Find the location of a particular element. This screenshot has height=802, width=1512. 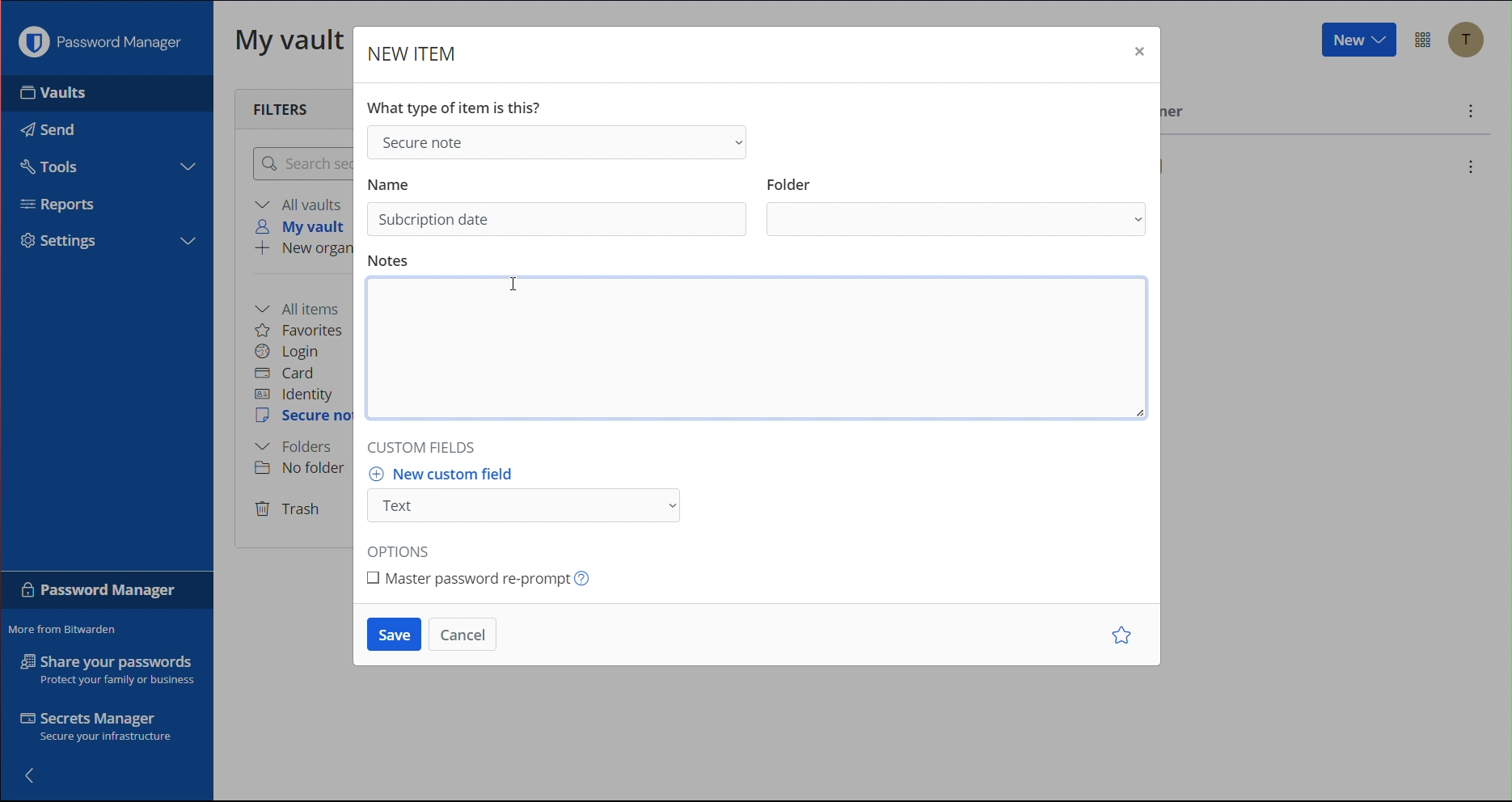

Folder is located at coordinates (790, 179).